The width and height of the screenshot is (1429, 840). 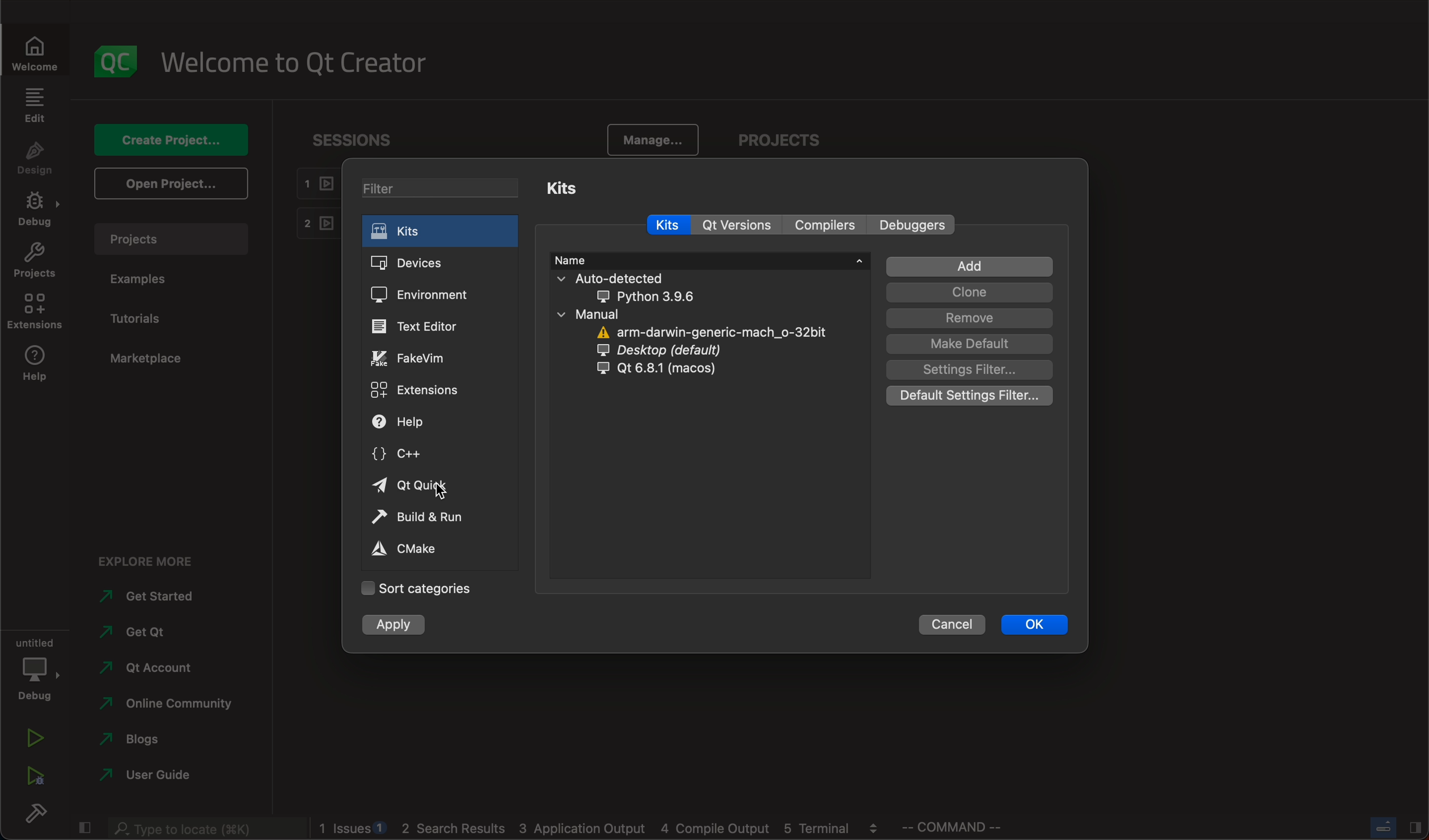 What do you see at coordinates (409, 422) in the screenshot?
I see `help` at bounding box center [409, 422].